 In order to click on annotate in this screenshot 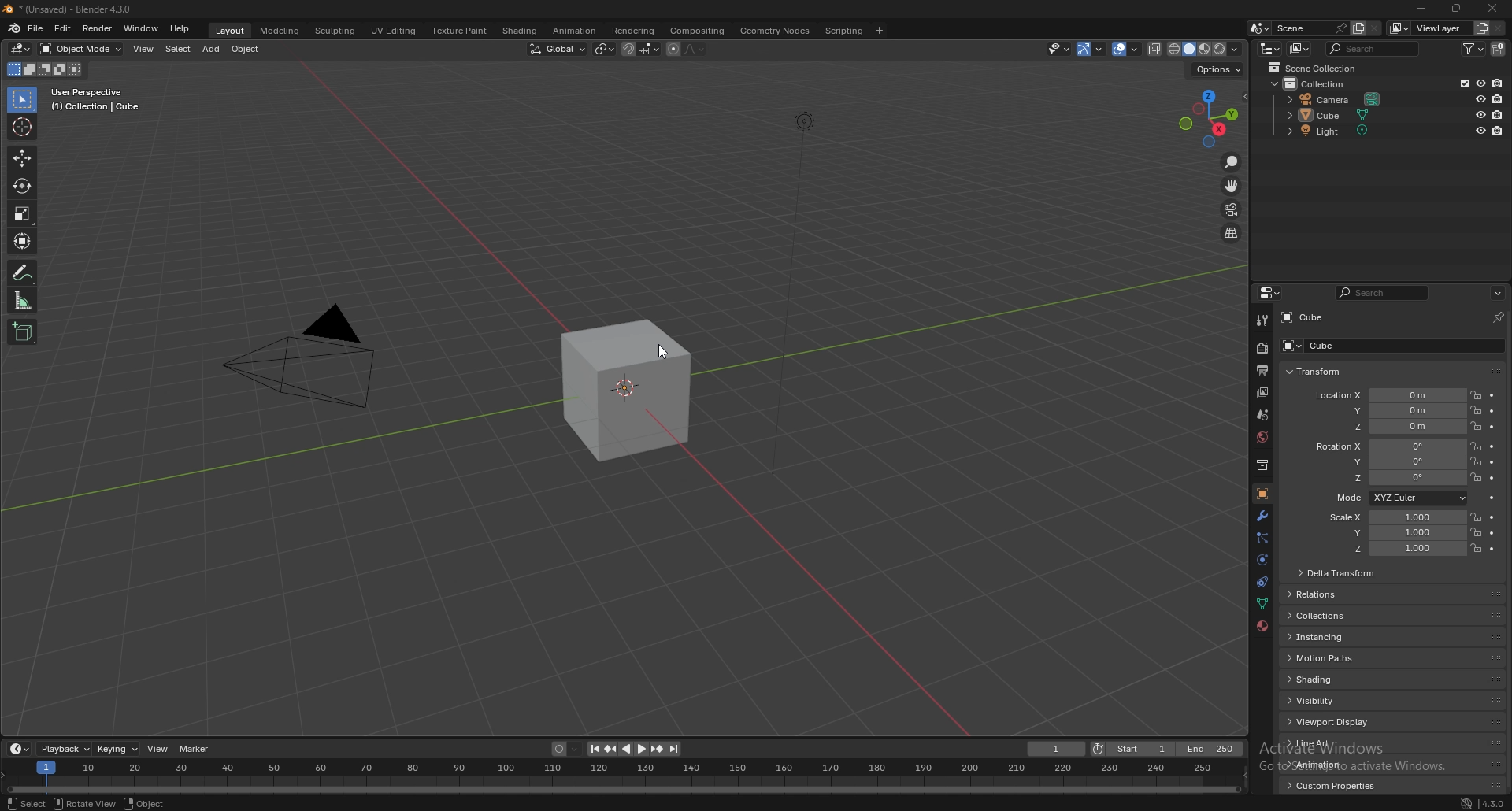, I will do `click(22, 272)`.